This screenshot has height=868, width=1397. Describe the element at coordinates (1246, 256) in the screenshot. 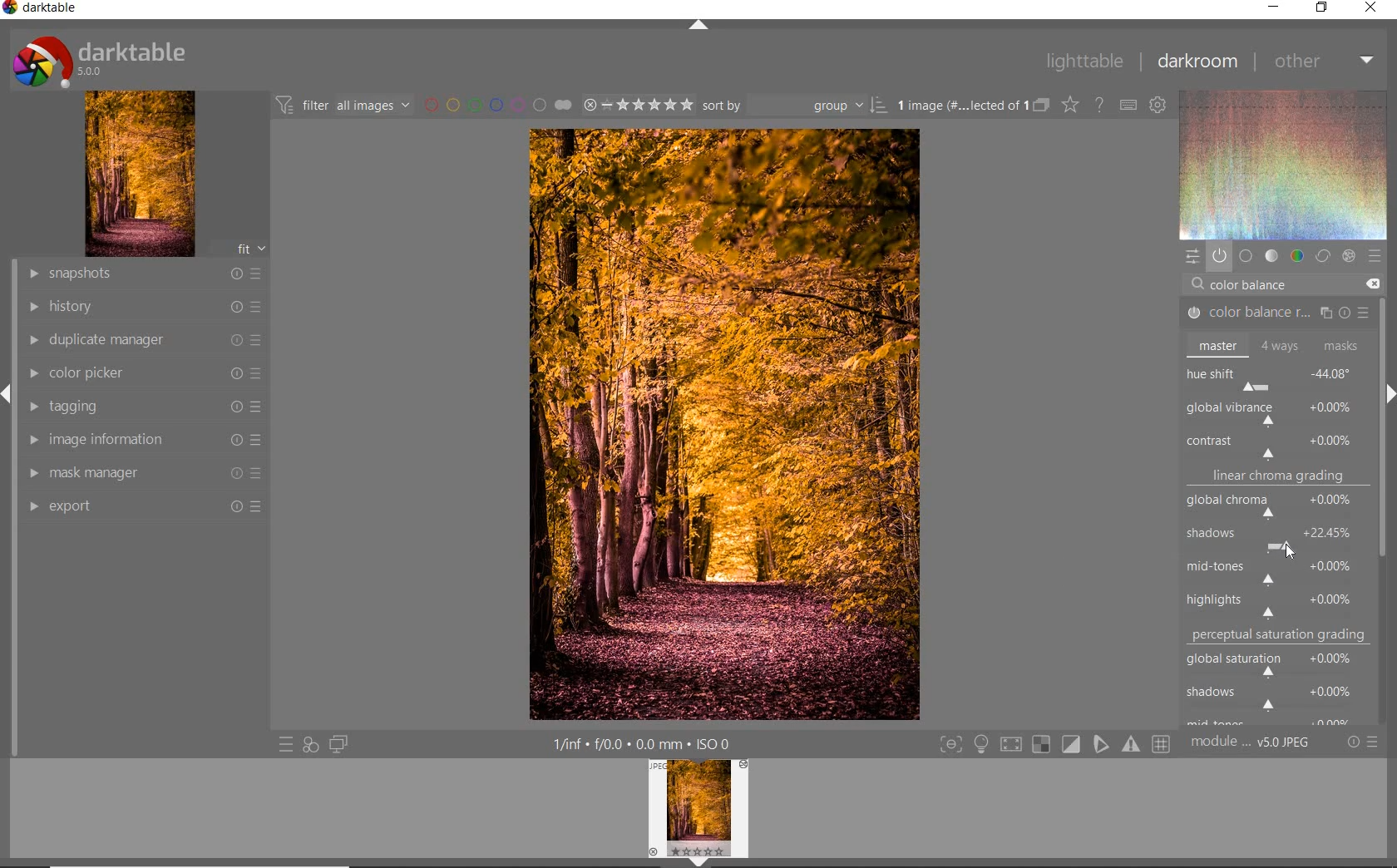

I see `base` at that location.